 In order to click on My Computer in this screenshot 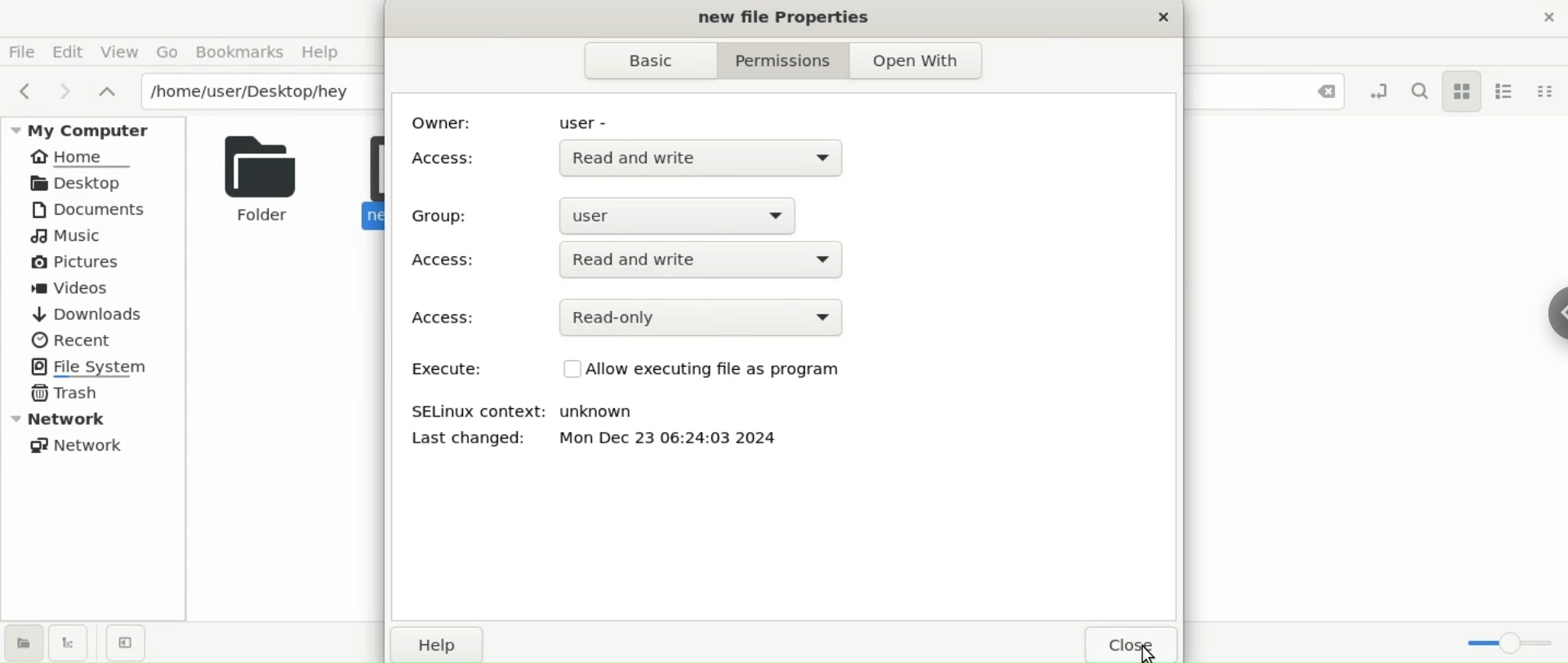, I will do `click(96, 129)`.